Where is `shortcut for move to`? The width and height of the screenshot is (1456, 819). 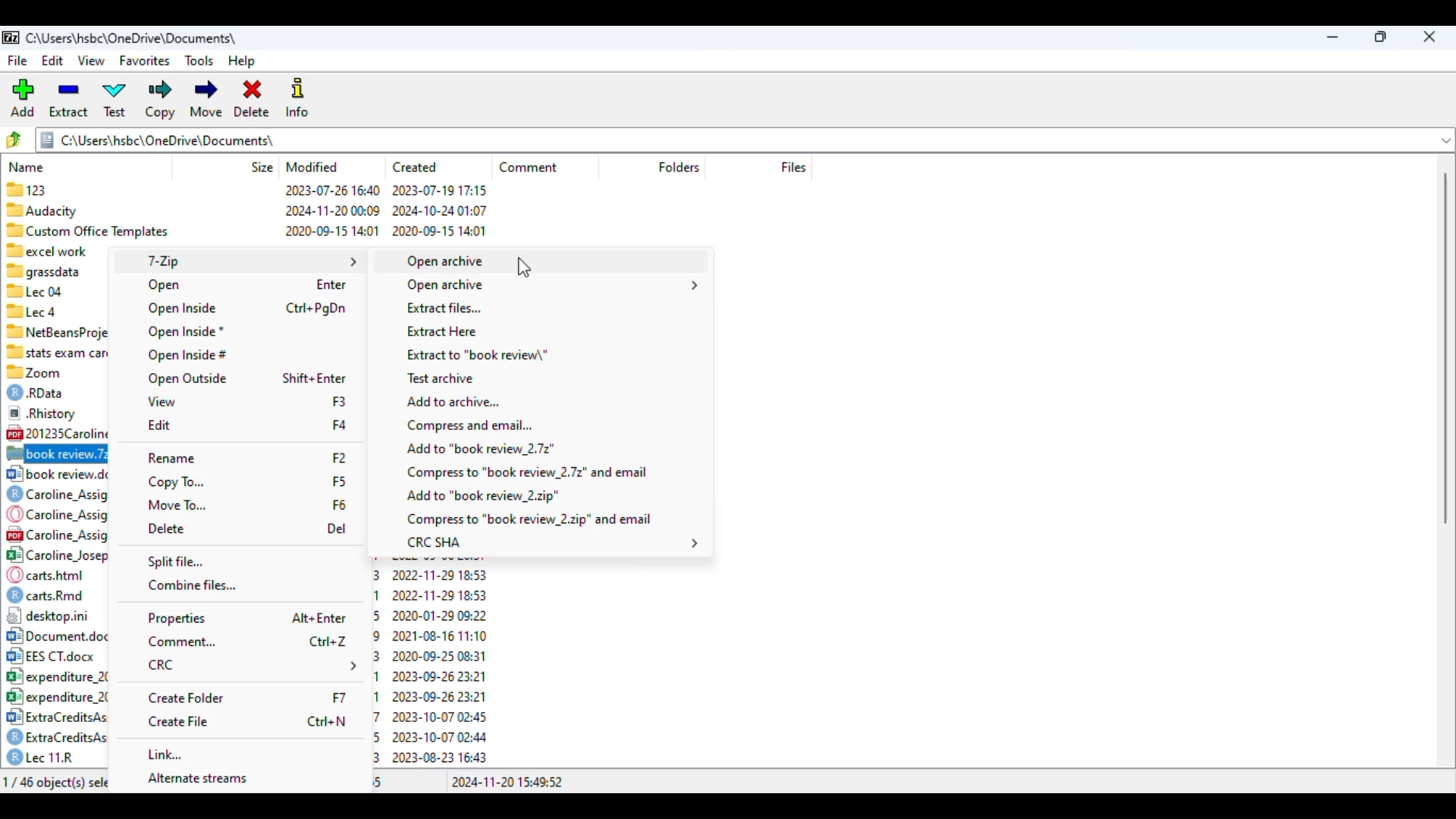
shortcut for move to is located at coordinates (338, 504).